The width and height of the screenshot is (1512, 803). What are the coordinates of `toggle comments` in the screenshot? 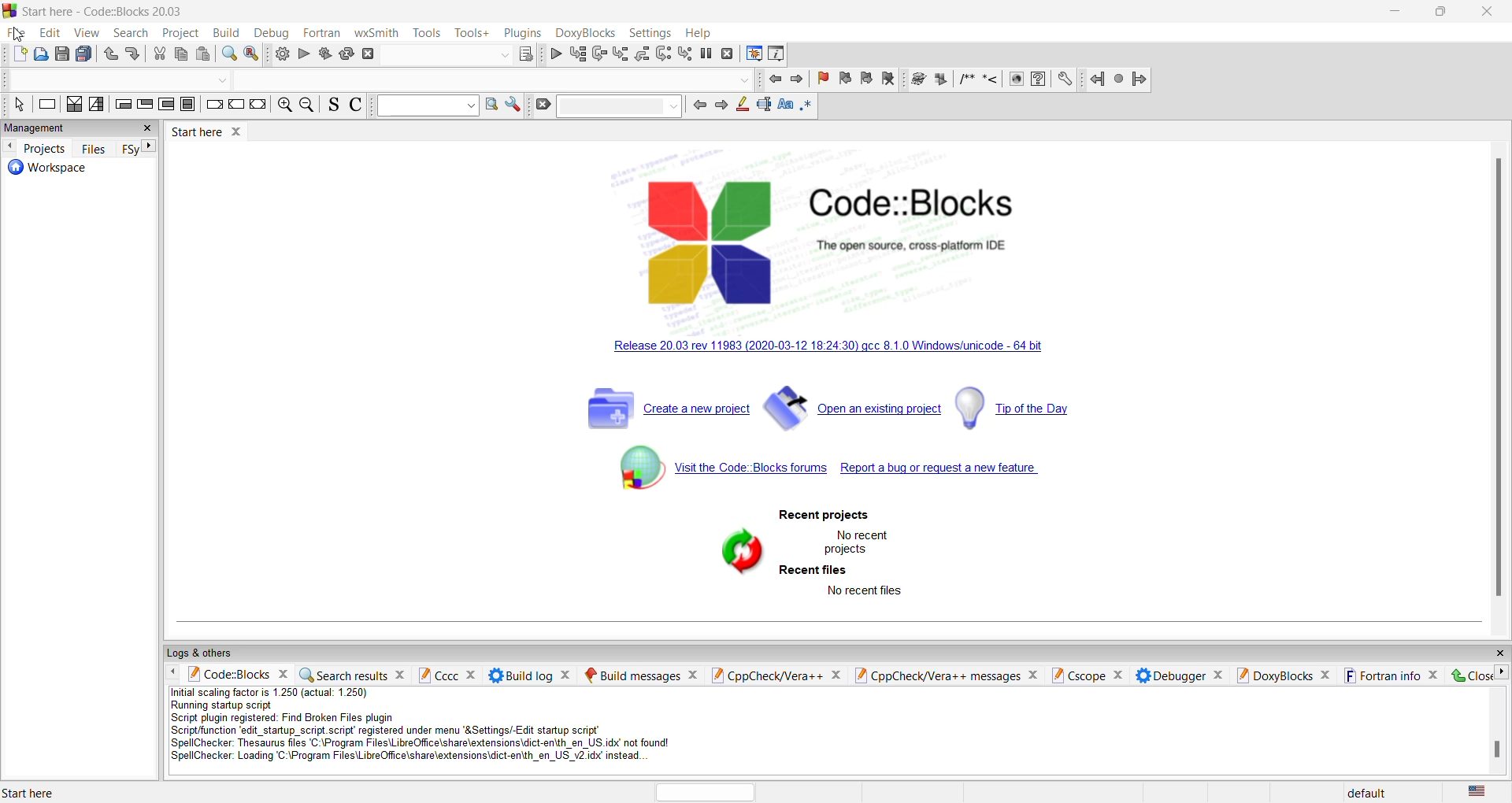 It's located at (356, 105).